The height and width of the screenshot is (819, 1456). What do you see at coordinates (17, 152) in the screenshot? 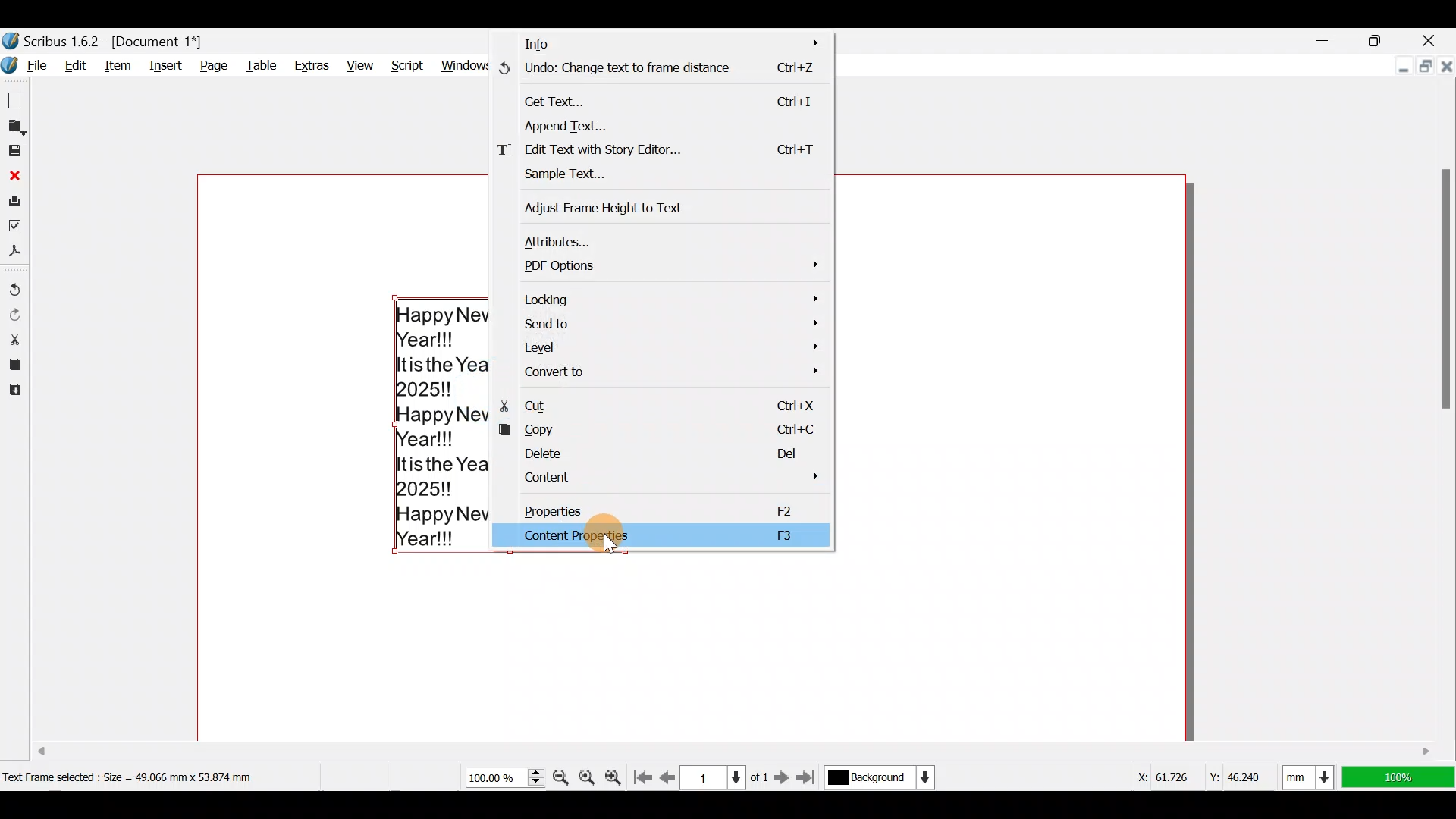
I see `Save` at bounding box center [17, 152].